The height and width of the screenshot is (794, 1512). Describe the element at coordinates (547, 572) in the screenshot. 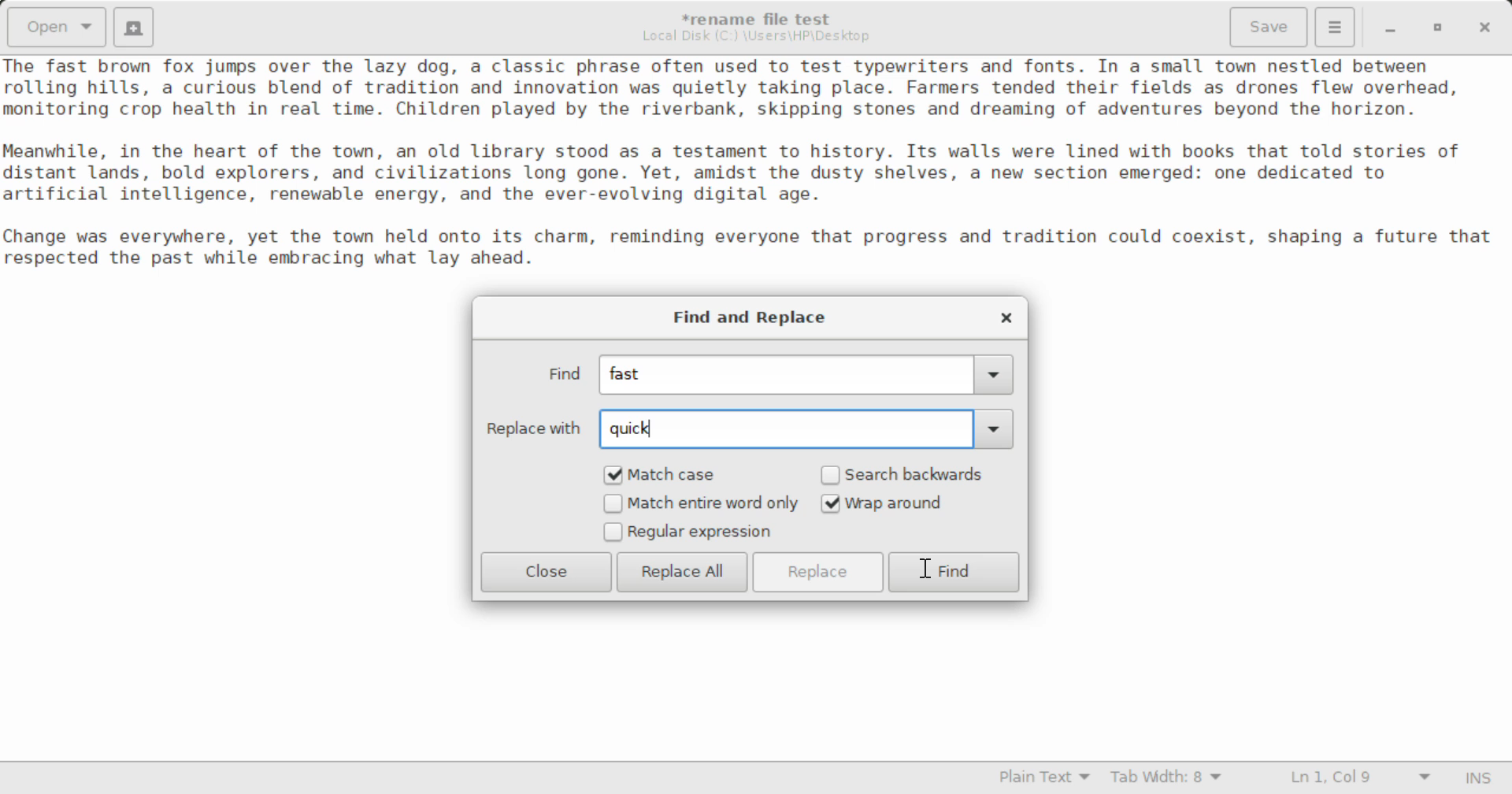

I see `Close` at that location.